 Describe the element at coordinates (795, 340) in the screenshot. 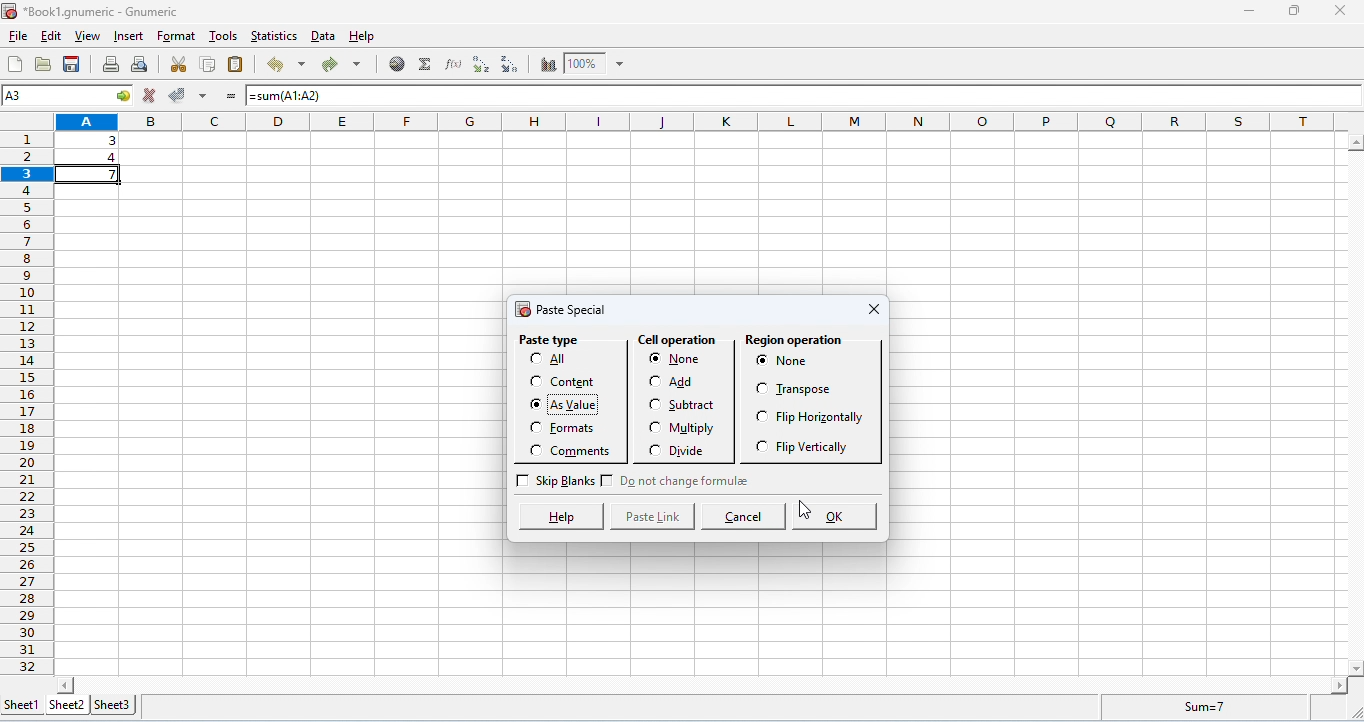

I see `region operation` at that location.